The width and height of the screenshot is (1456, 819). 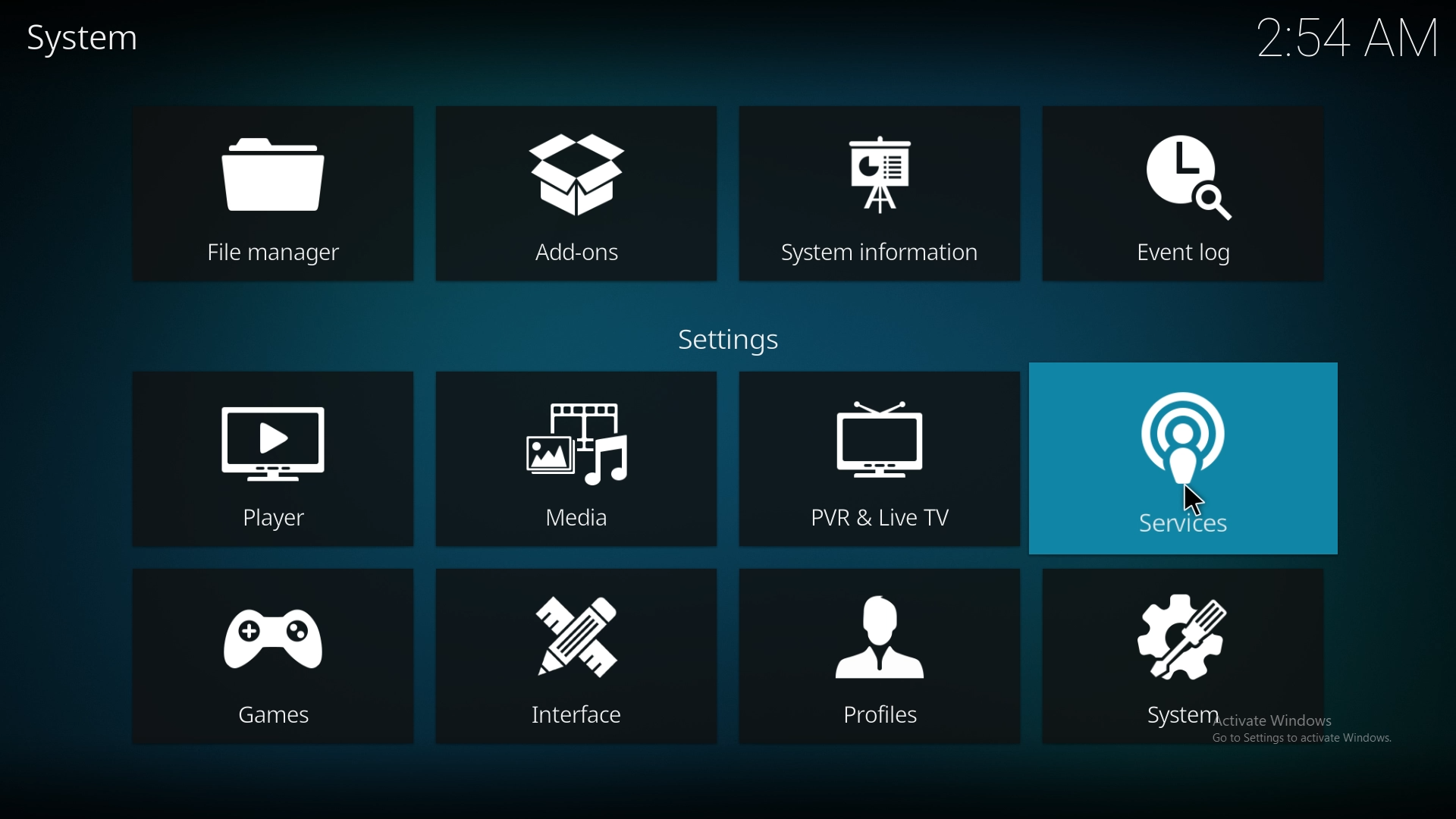 I want to click on 2:54 AM, so click(x=1348, y=40).